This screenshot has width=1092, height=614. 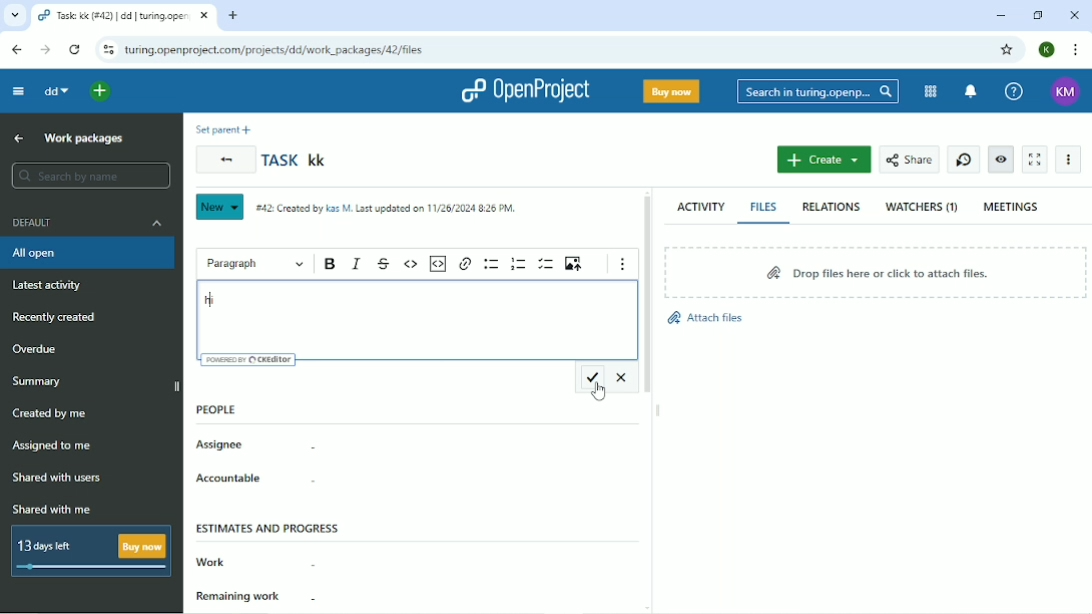 I want to click on Up, so click(x=19, y=139).